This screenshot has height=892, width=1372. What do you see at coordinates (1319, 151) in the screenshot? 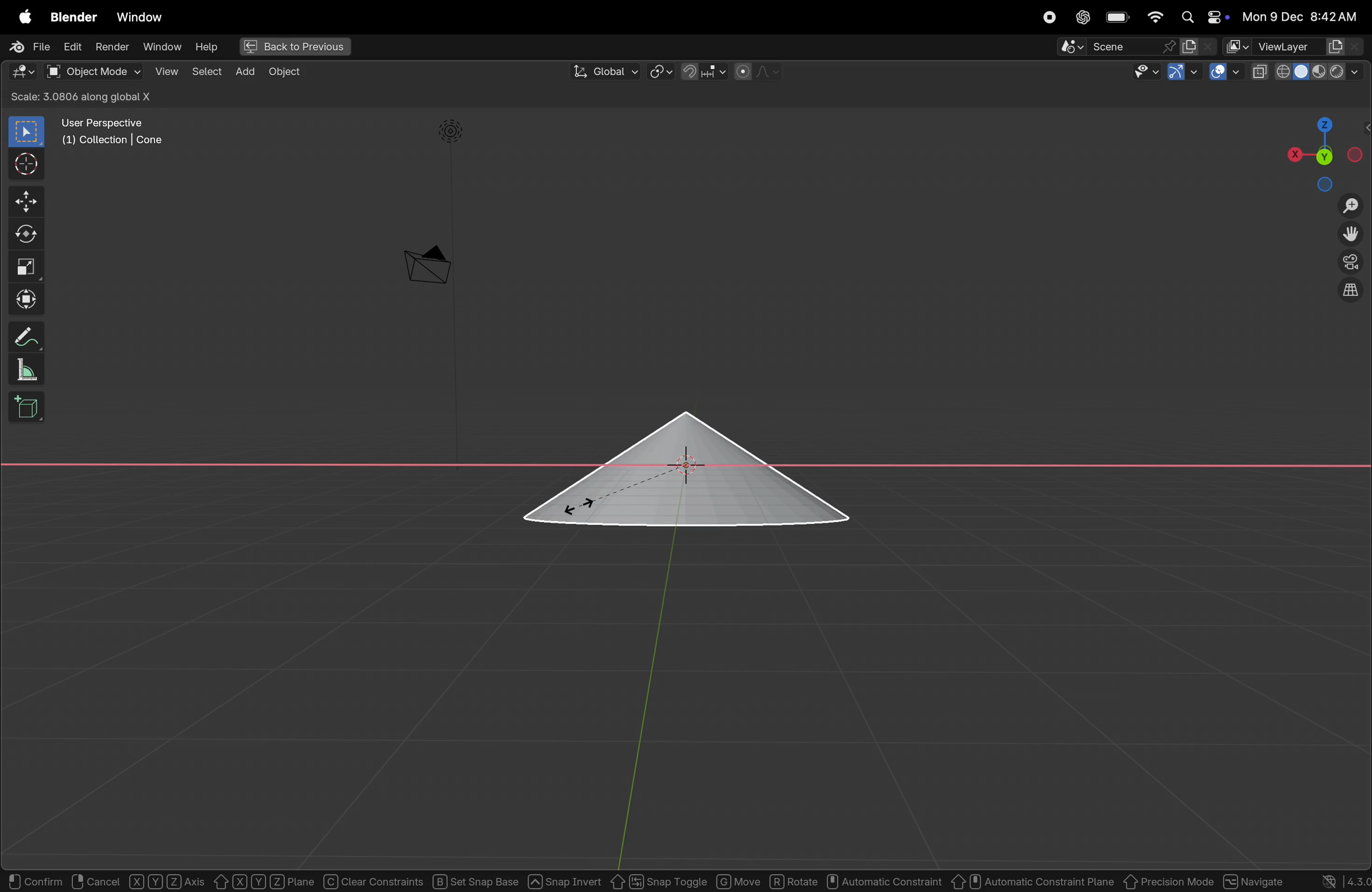
I see `view point` at bounding box center [1319, 151].